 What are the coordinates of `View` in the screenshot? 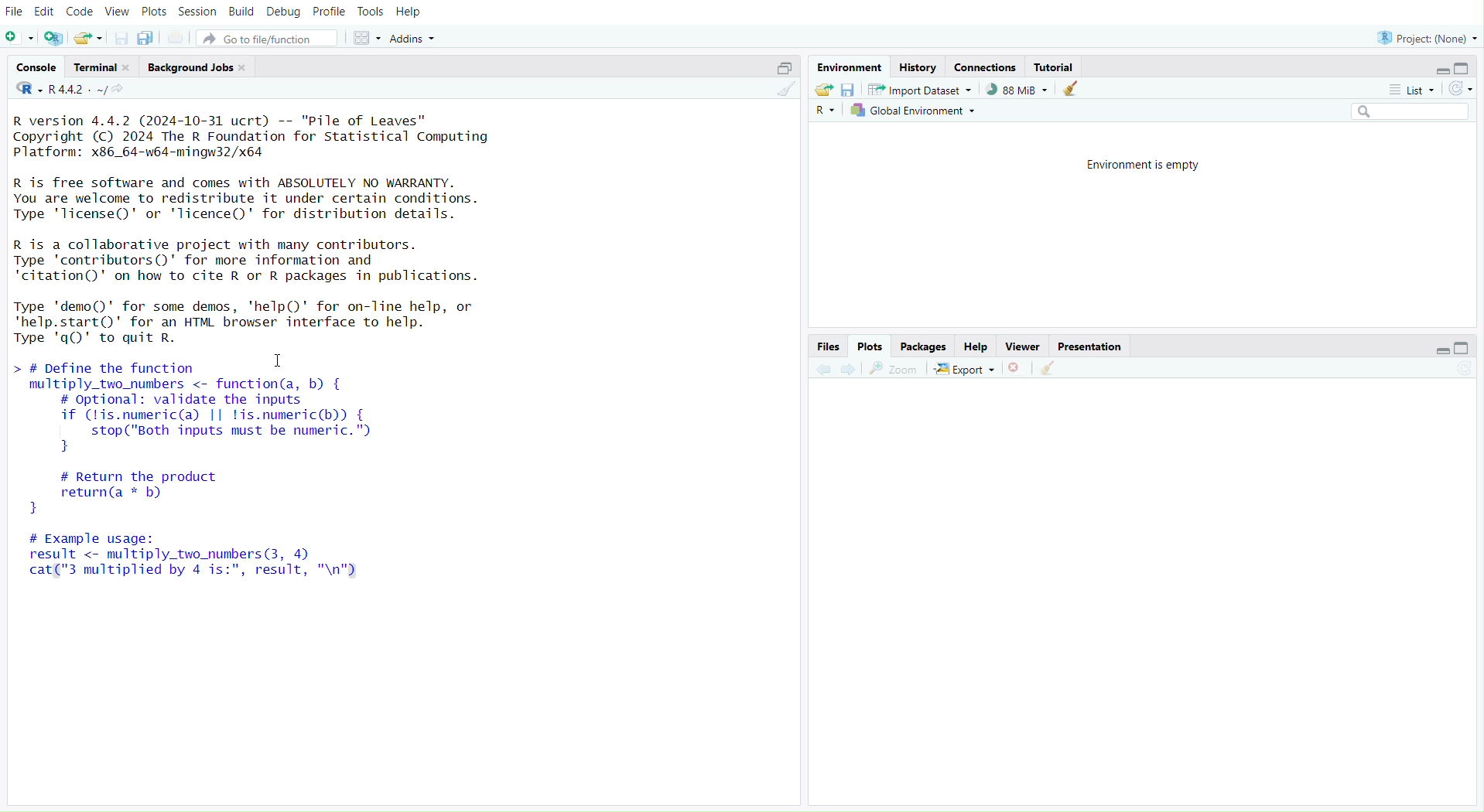 It's located at (115, 11).